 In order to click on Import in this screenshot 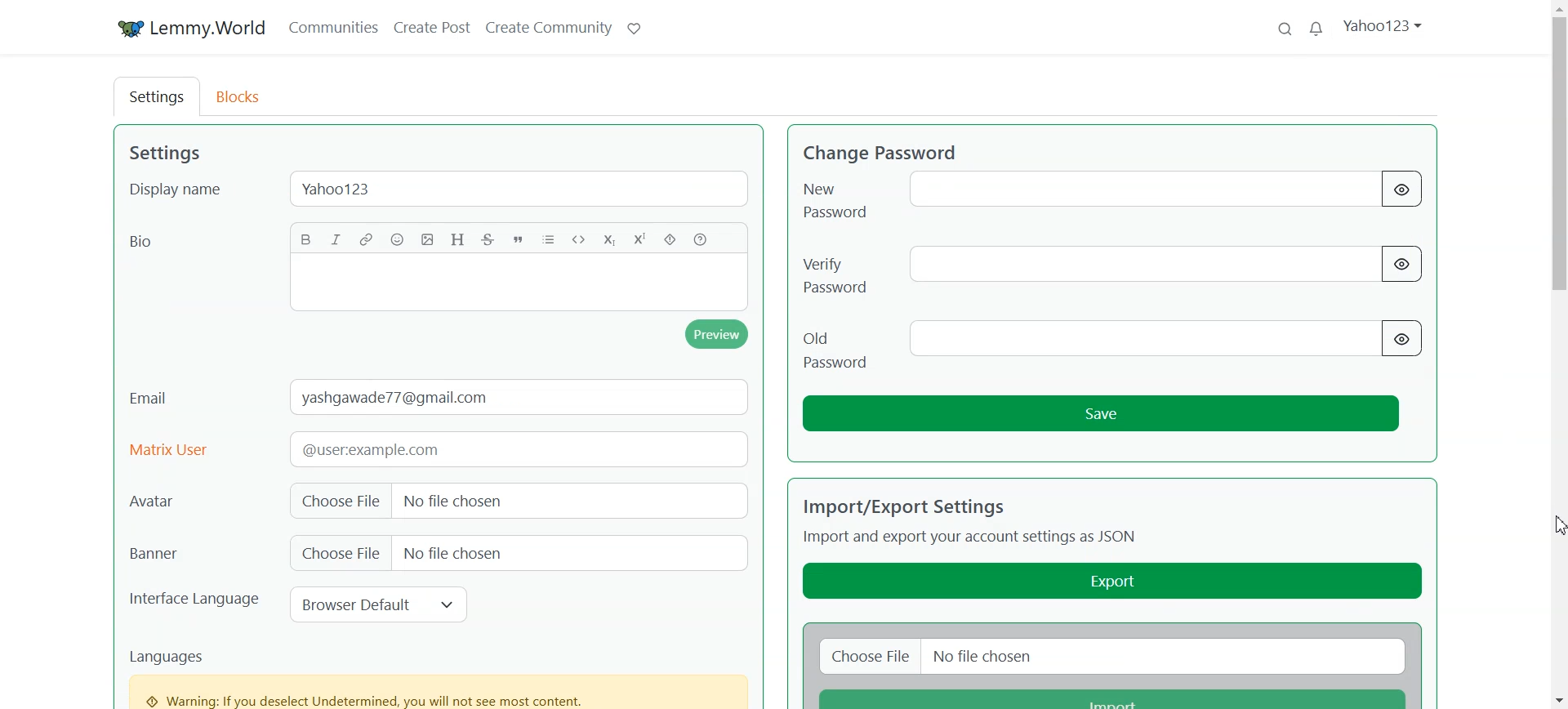, I will do `click(1112, 697)`.